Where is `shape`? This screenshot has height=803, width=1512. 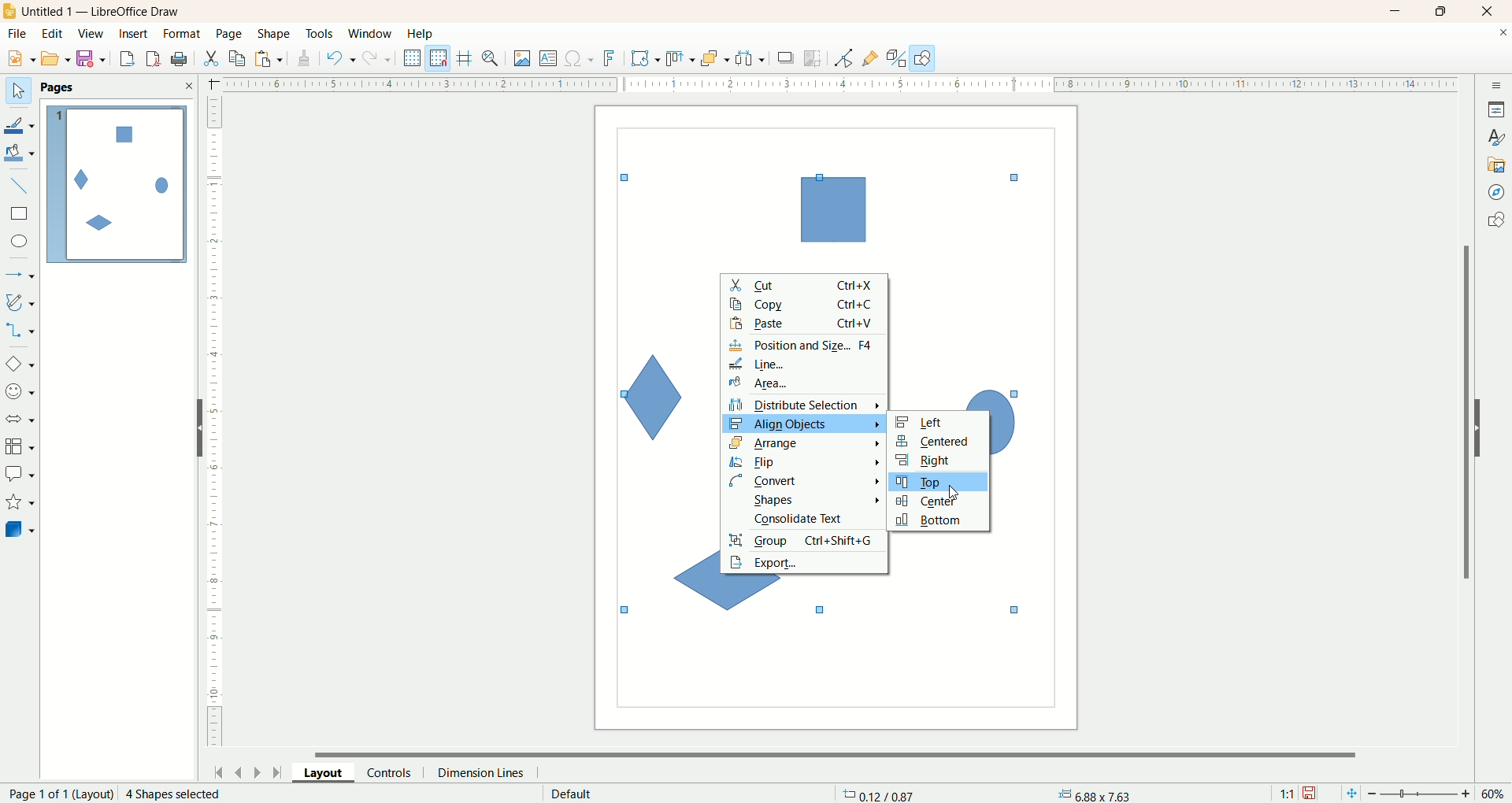
shape is located at coordinates (275, 35).